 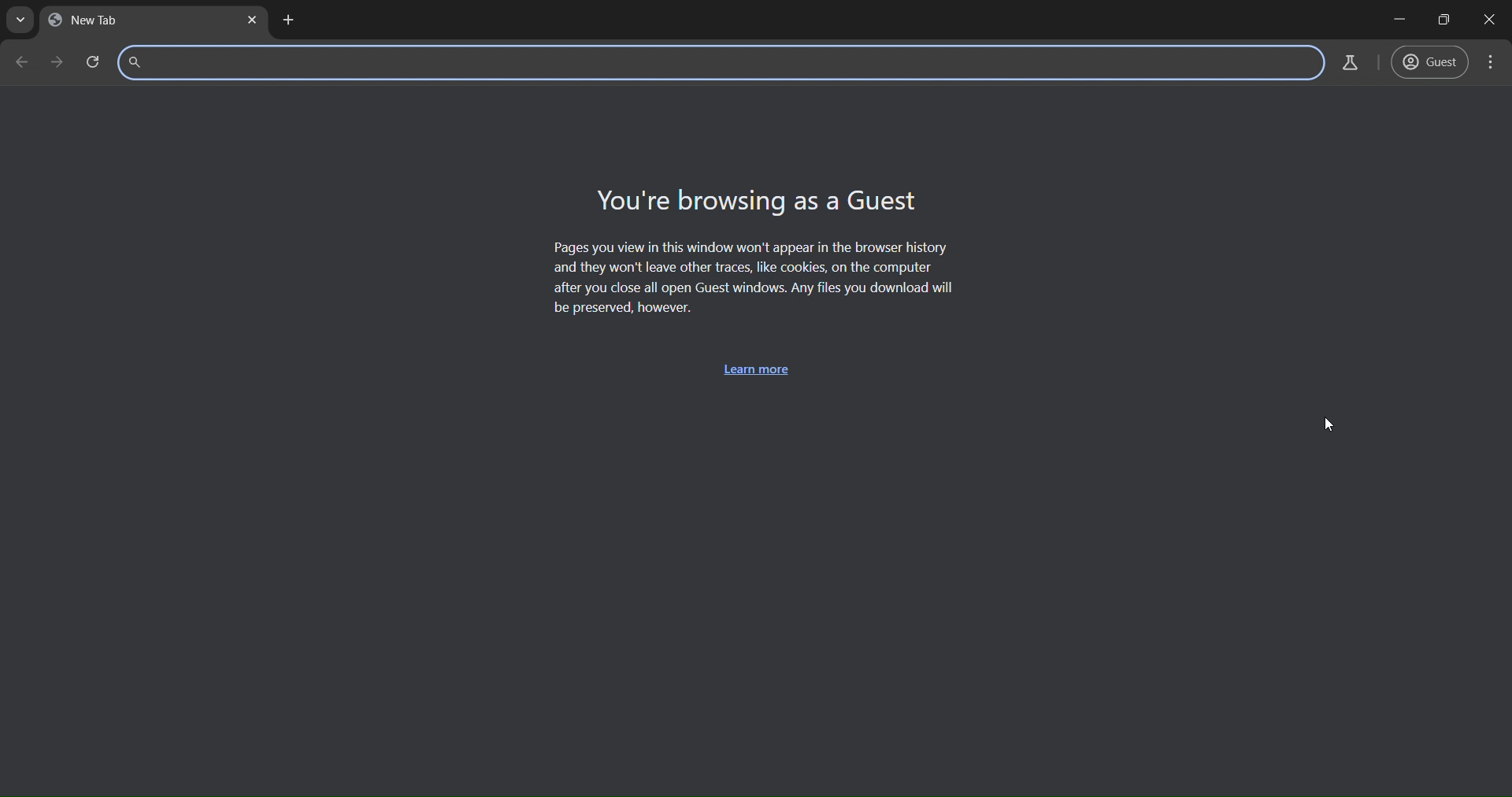 What do you see at coordinates (20, 20) in the screenshot?
I see `search tabs` at bounding box center [20, 20].